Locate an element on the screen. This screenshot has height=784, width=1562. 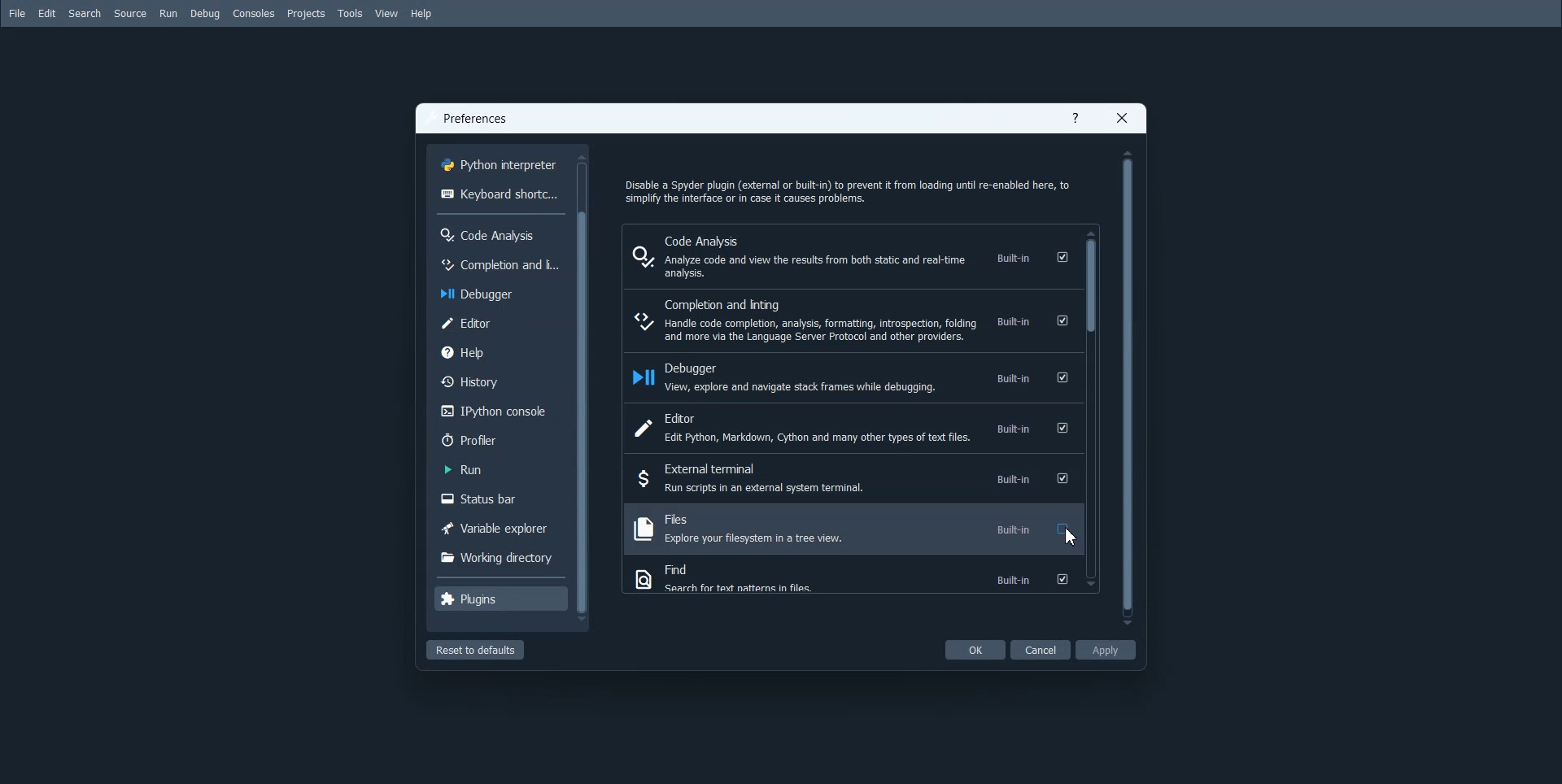
Completion and license is located at coordinates (497, 263).